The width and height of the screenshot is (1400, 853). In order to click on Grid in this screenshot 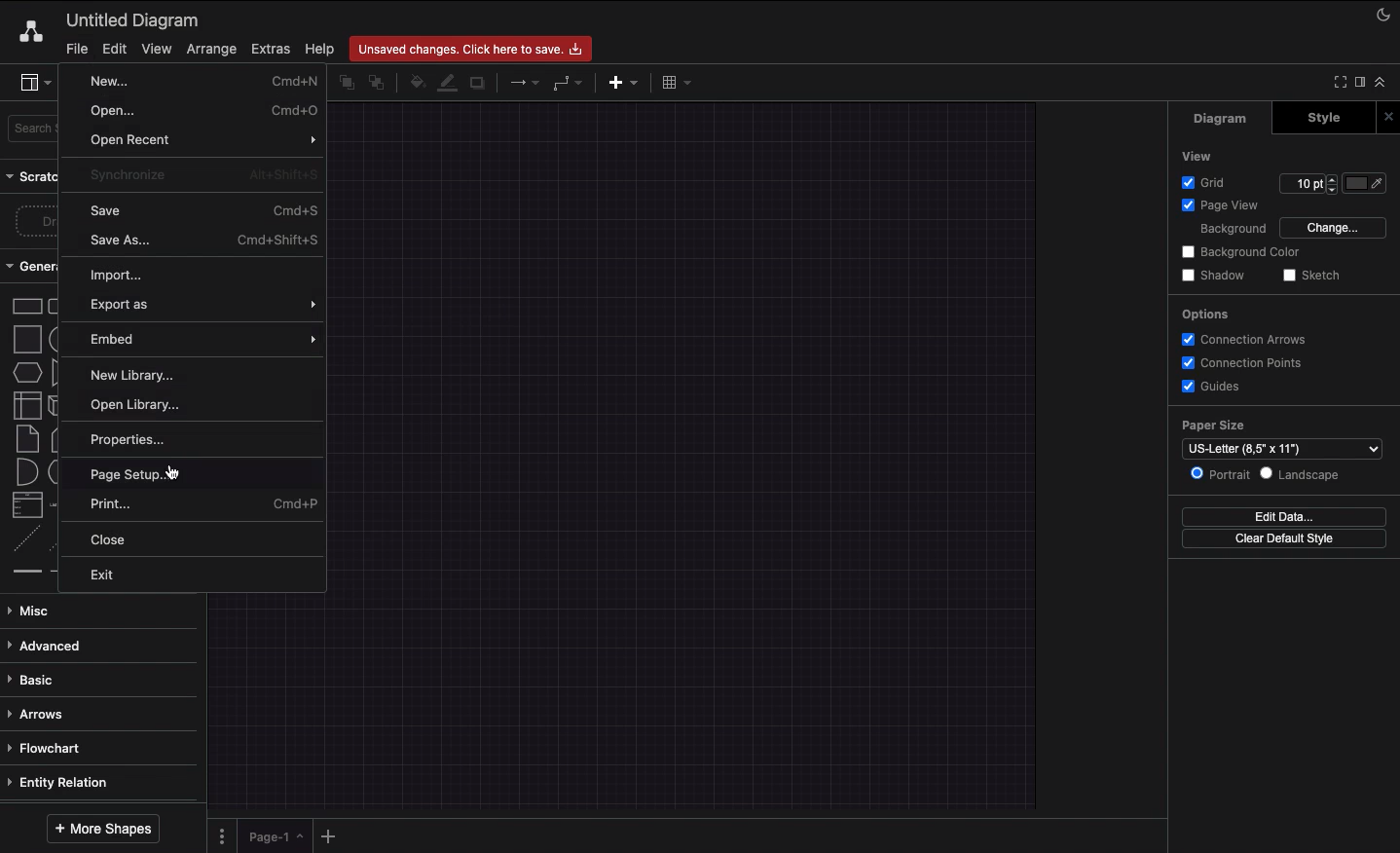, I will do `click(1208, 182)`.